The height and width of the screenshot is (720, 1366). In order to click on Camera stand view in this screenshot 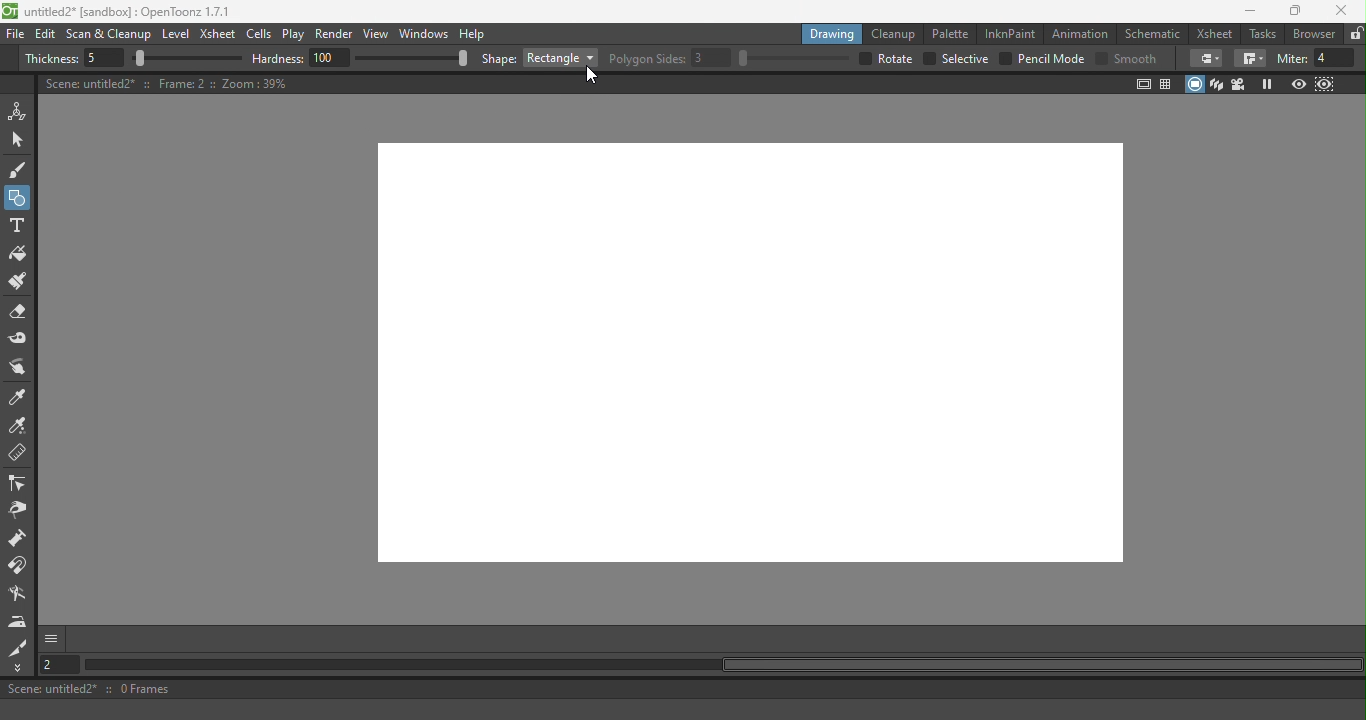, I will do `click(1195, 85)`.